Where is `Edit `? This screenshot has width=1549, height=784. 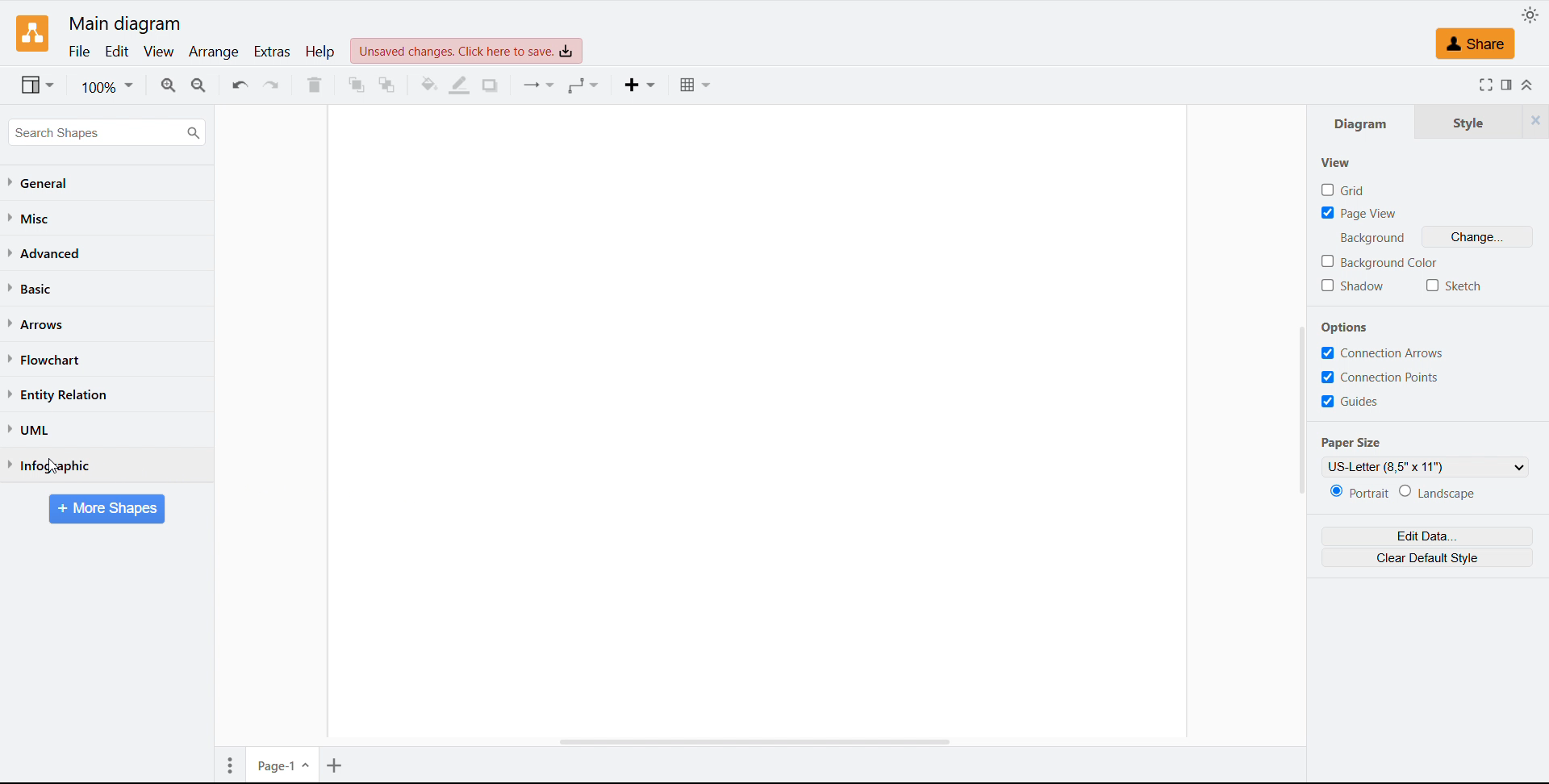
Edit  is located at coordinates (115, 52).